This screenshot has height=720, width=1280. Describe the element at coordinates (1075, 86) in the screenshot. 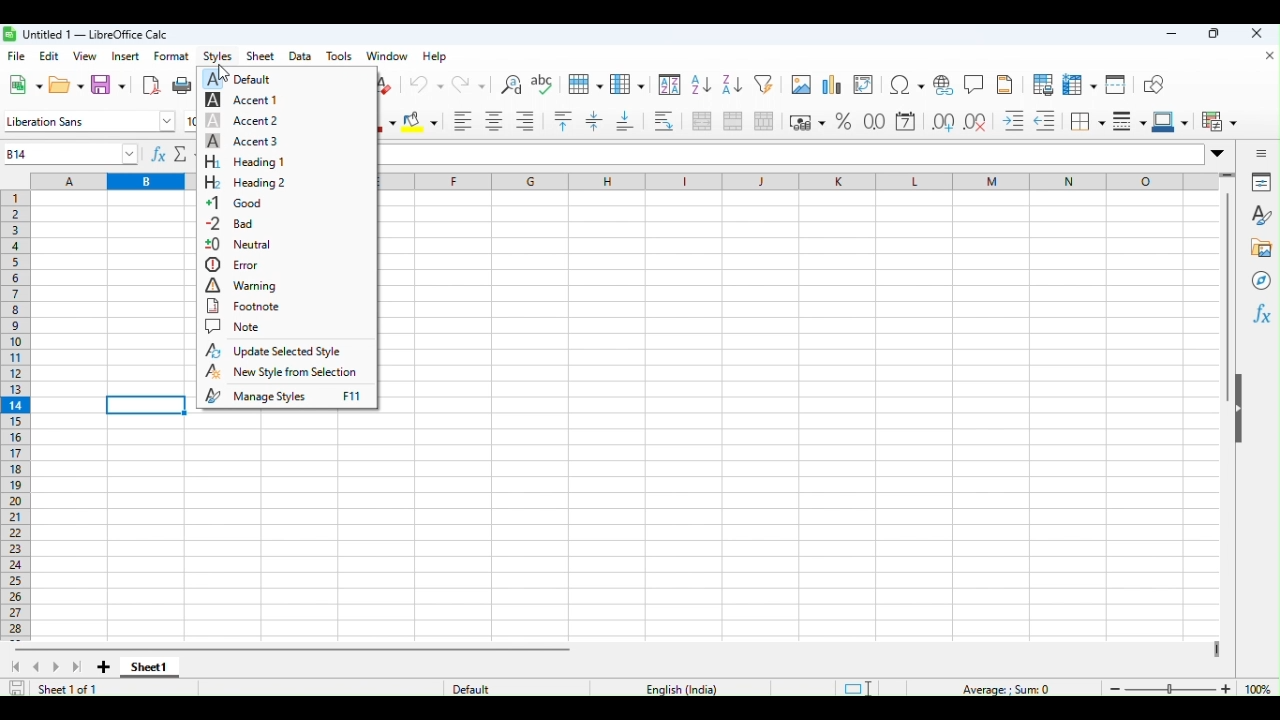

I see `Freeze rows and colum ` at that location.